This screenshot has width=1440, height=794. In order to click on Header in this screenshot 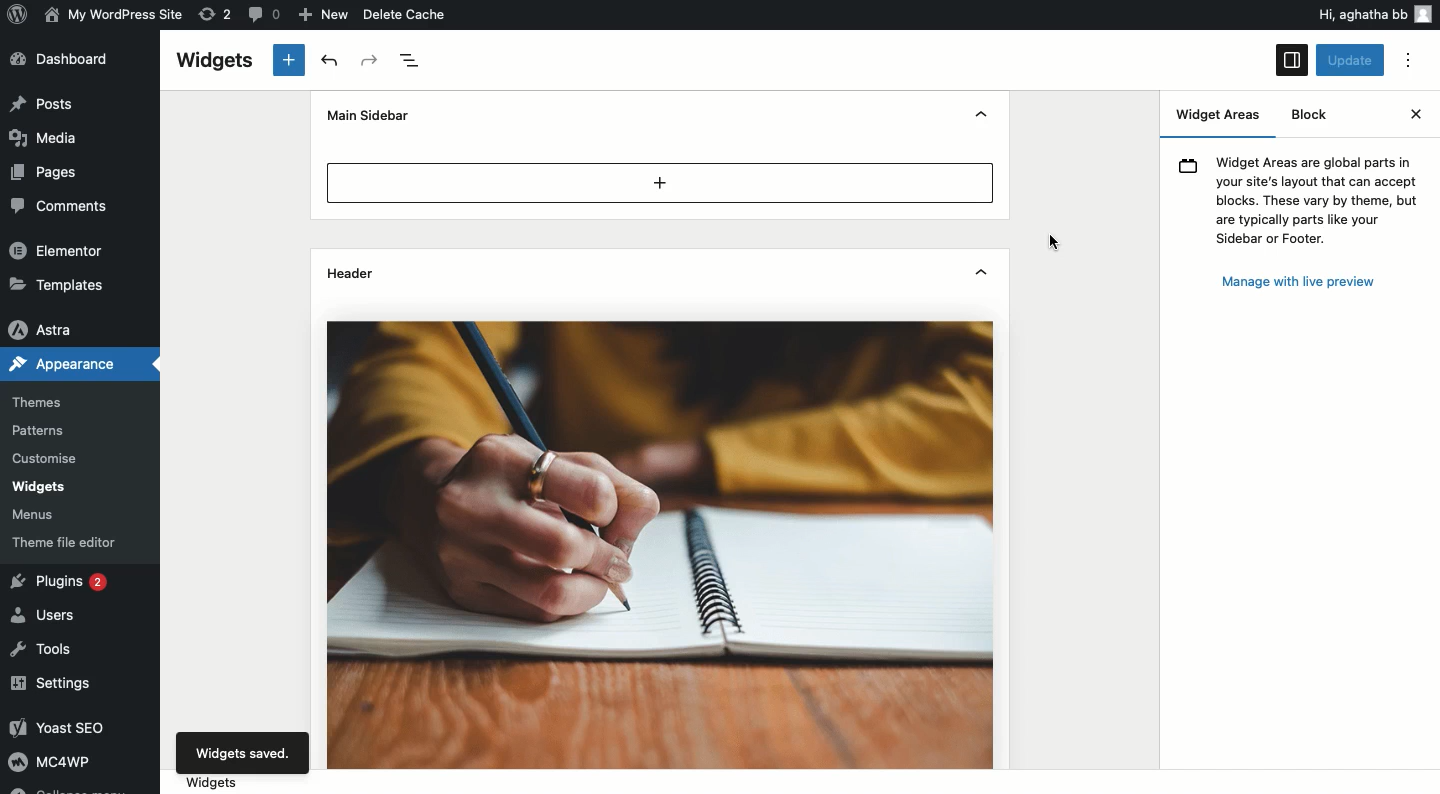, I will do `click(387, 272)`.